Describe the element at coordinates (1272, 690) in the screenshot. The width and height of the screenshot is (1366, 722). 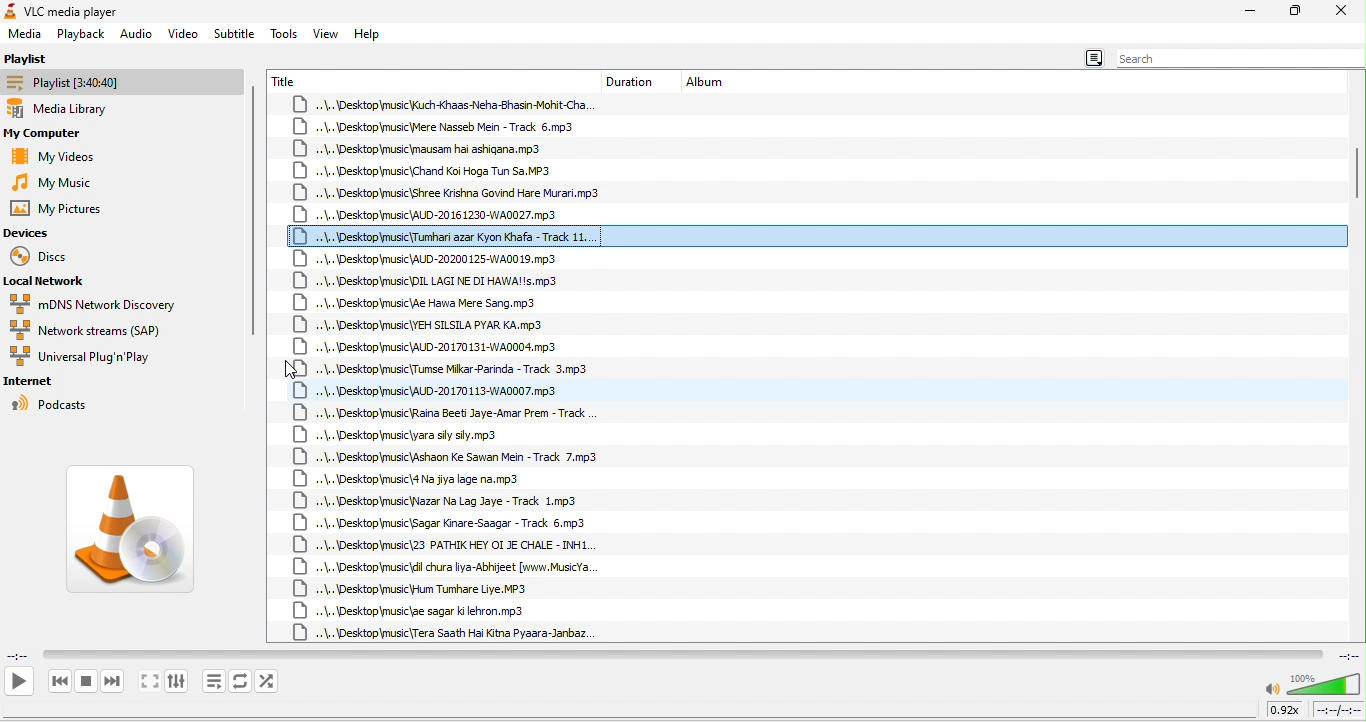
I see `mute/unmute` at that location.